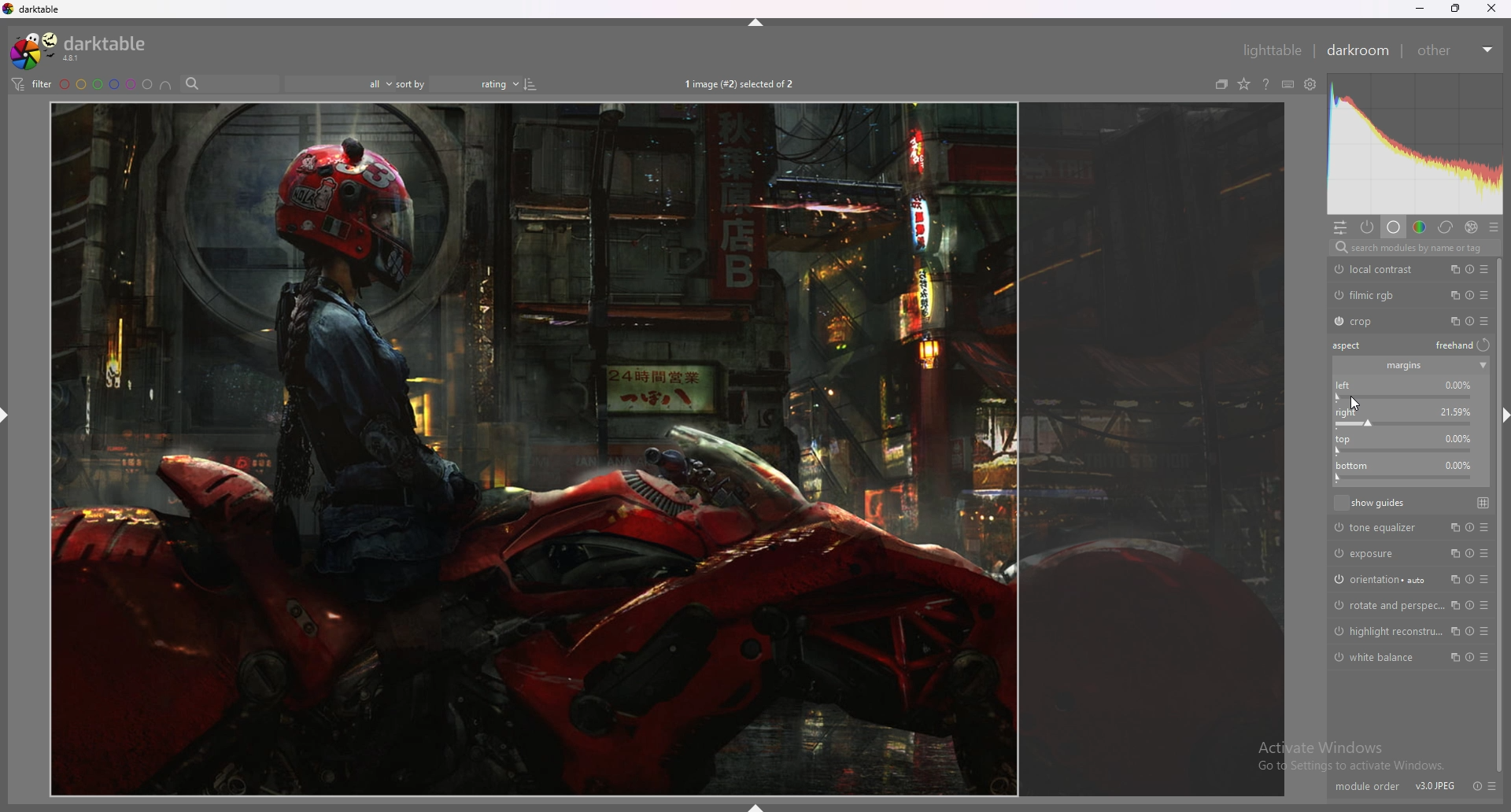 The height and width of the screenshot is (812, 1511). Describe the element at coordinates (1395, 227) in the screenshot. I see `base` at that location.